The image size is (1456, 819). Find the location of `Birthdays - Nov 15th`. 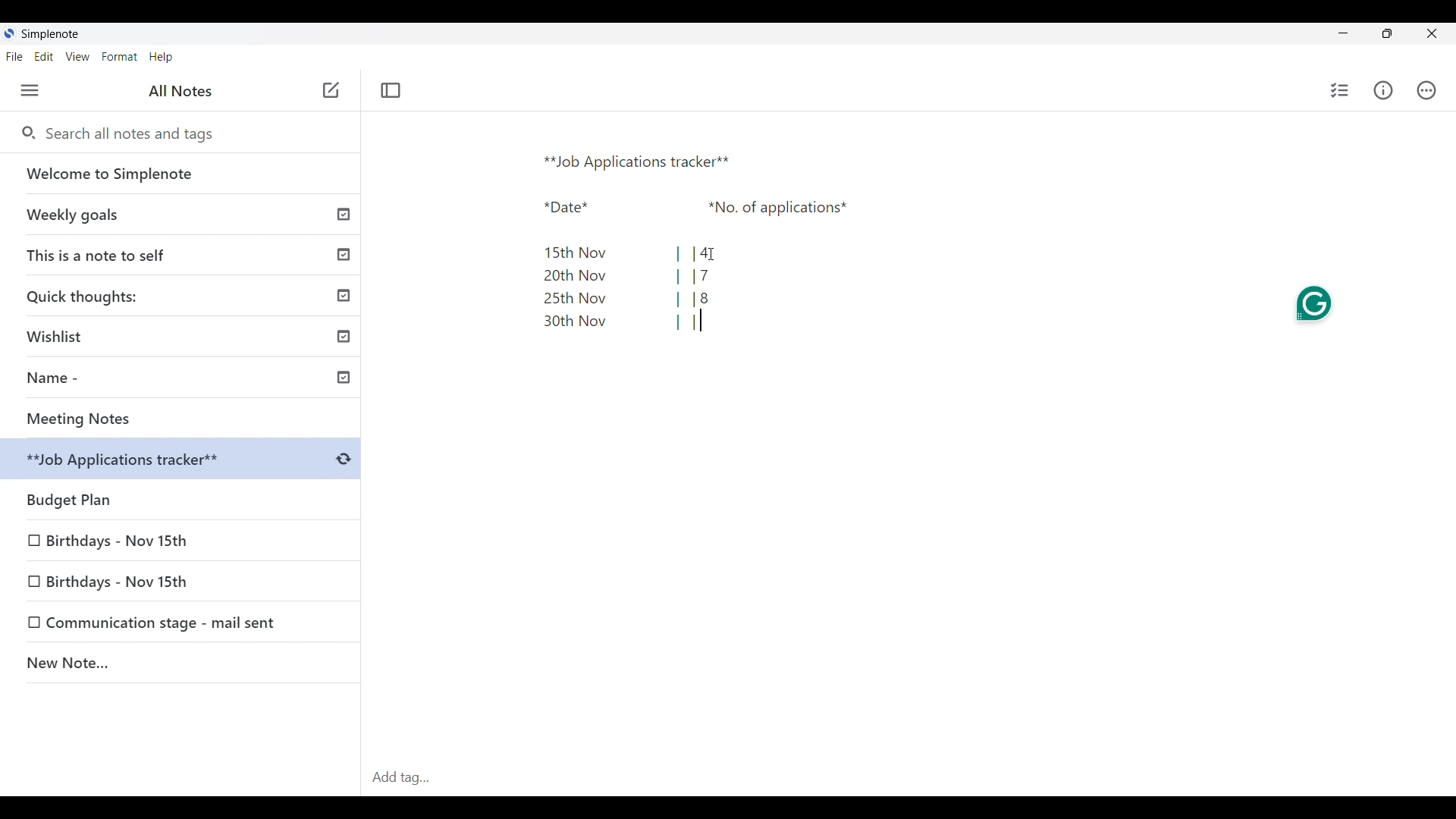

Birthdays - Nov 15th is located at coordinates (146, 579).